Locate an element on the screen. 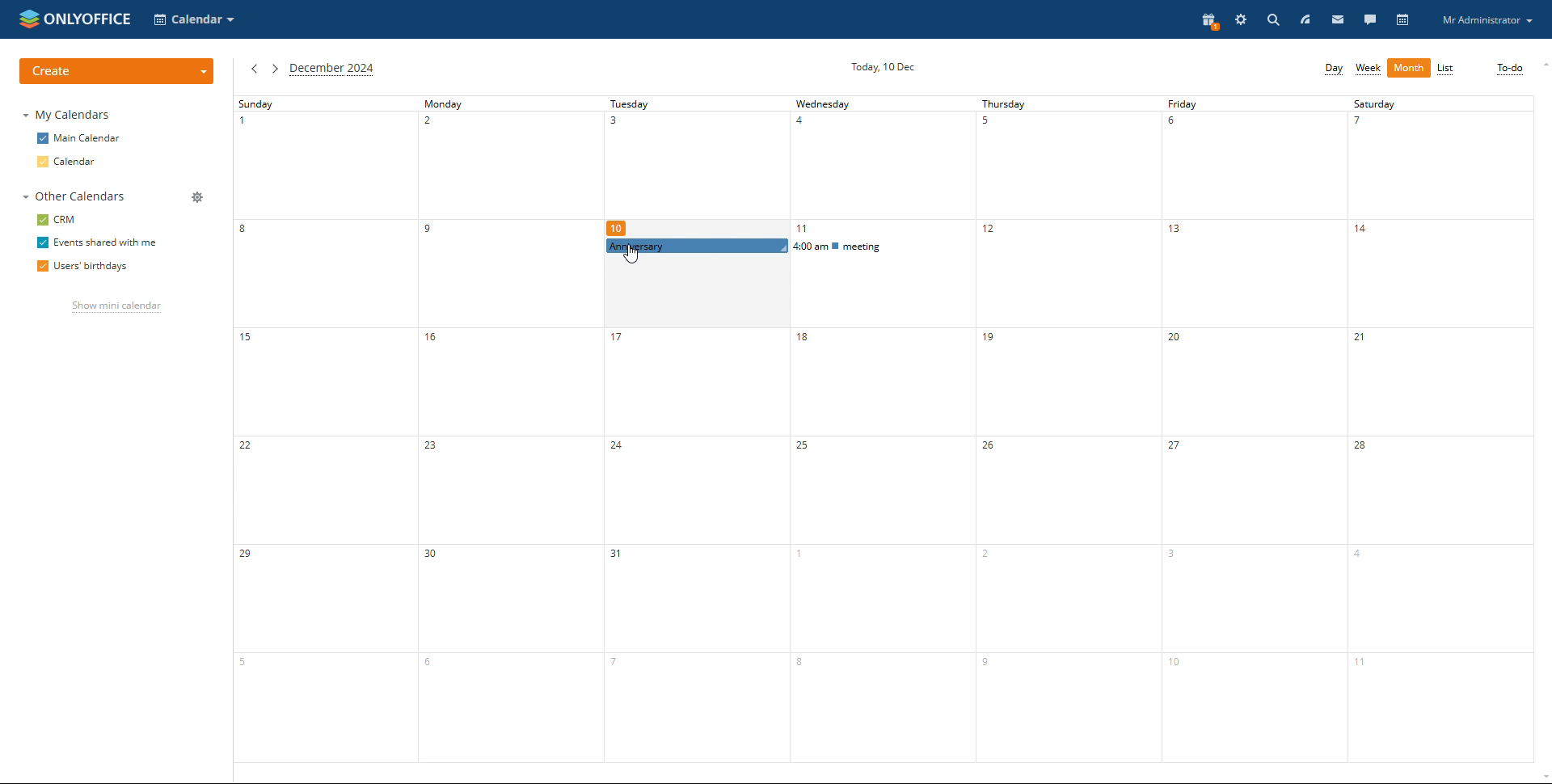 This screenshot has width=1552, height=784. create is located at coordinates (116, 72).